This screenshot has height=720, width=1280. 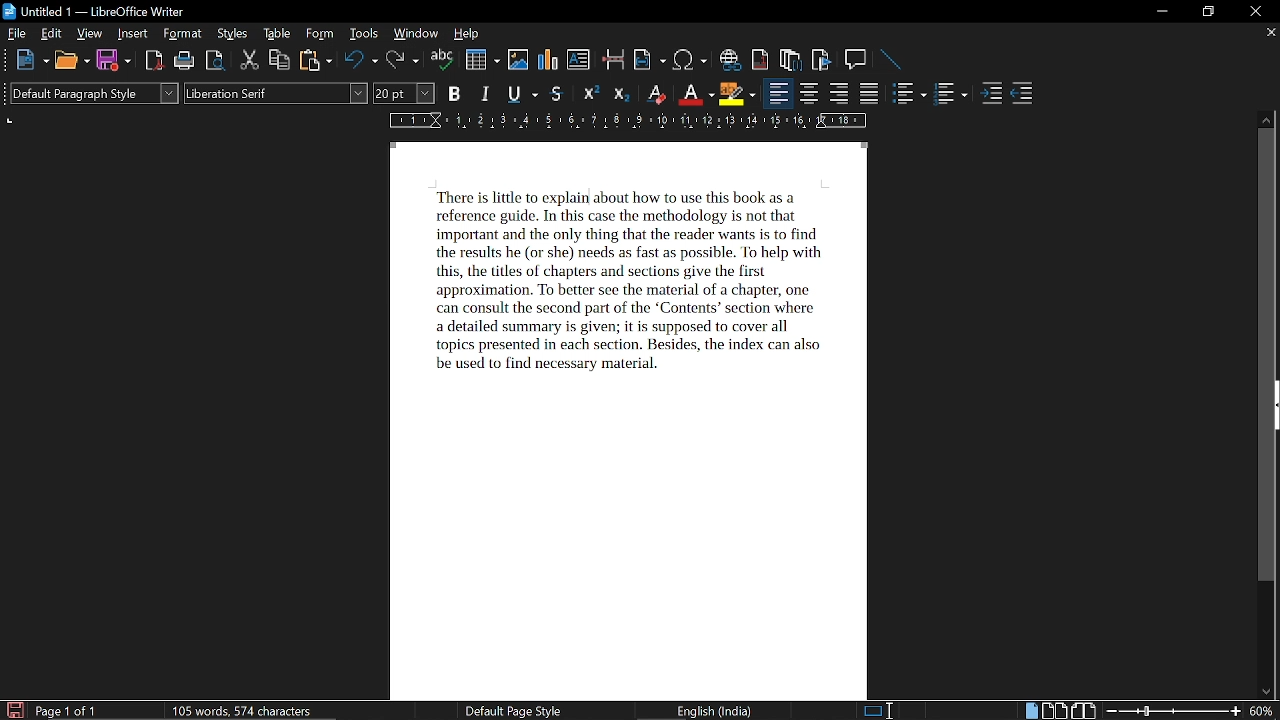 I want to click on open, so click(x=71, y=61).